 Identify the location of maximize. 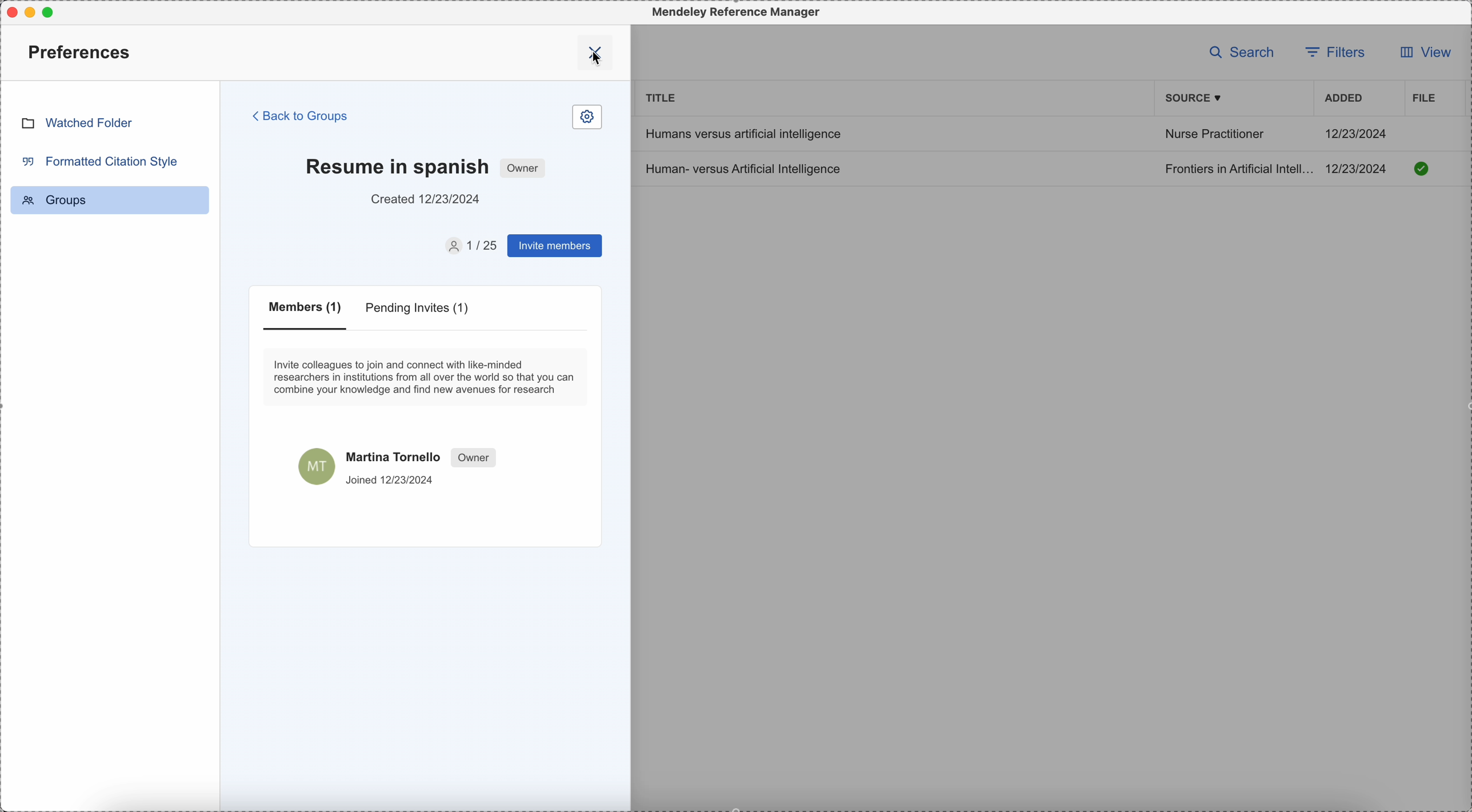
(53, 11).